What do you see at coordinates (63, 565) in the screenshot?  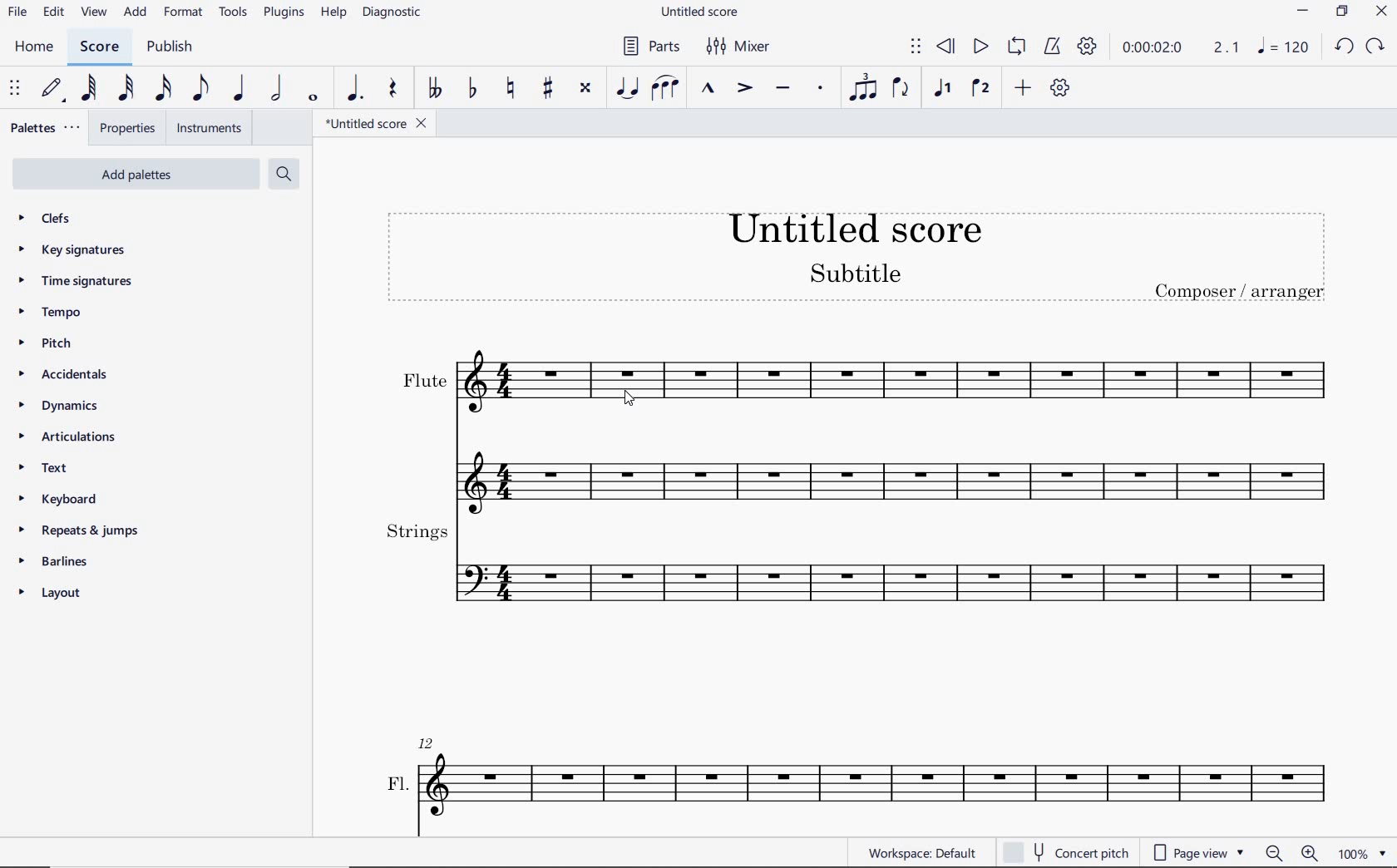 I see `barlines` at bounding box center [63, 565].